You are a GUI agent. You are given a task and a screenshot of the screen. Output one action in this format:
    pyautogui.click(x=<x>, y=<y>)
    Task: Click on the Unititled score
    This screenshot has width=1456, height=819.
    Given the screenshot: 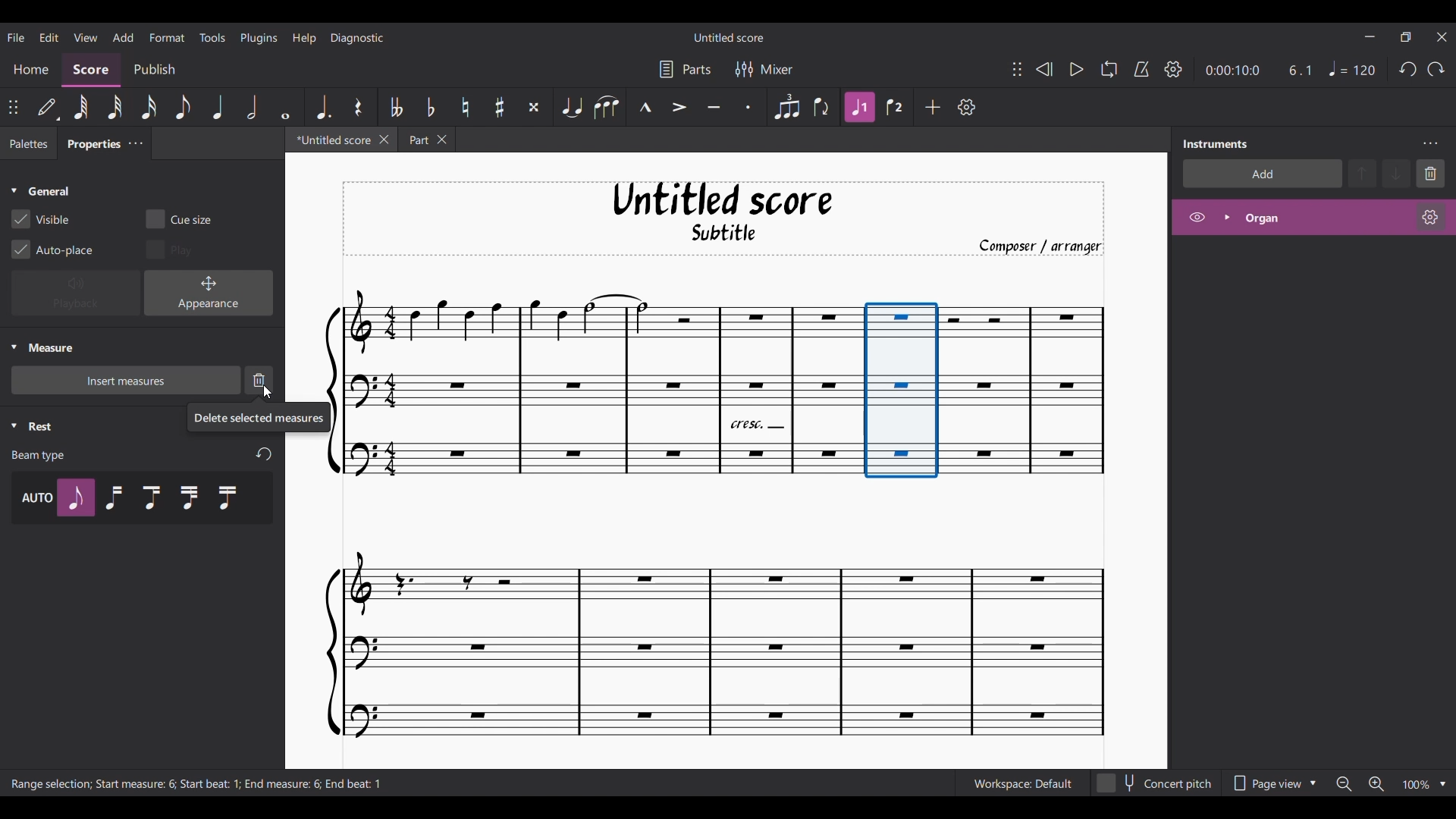 What is the action you would take?
    pyautogui.click(x=329, y=142)
    